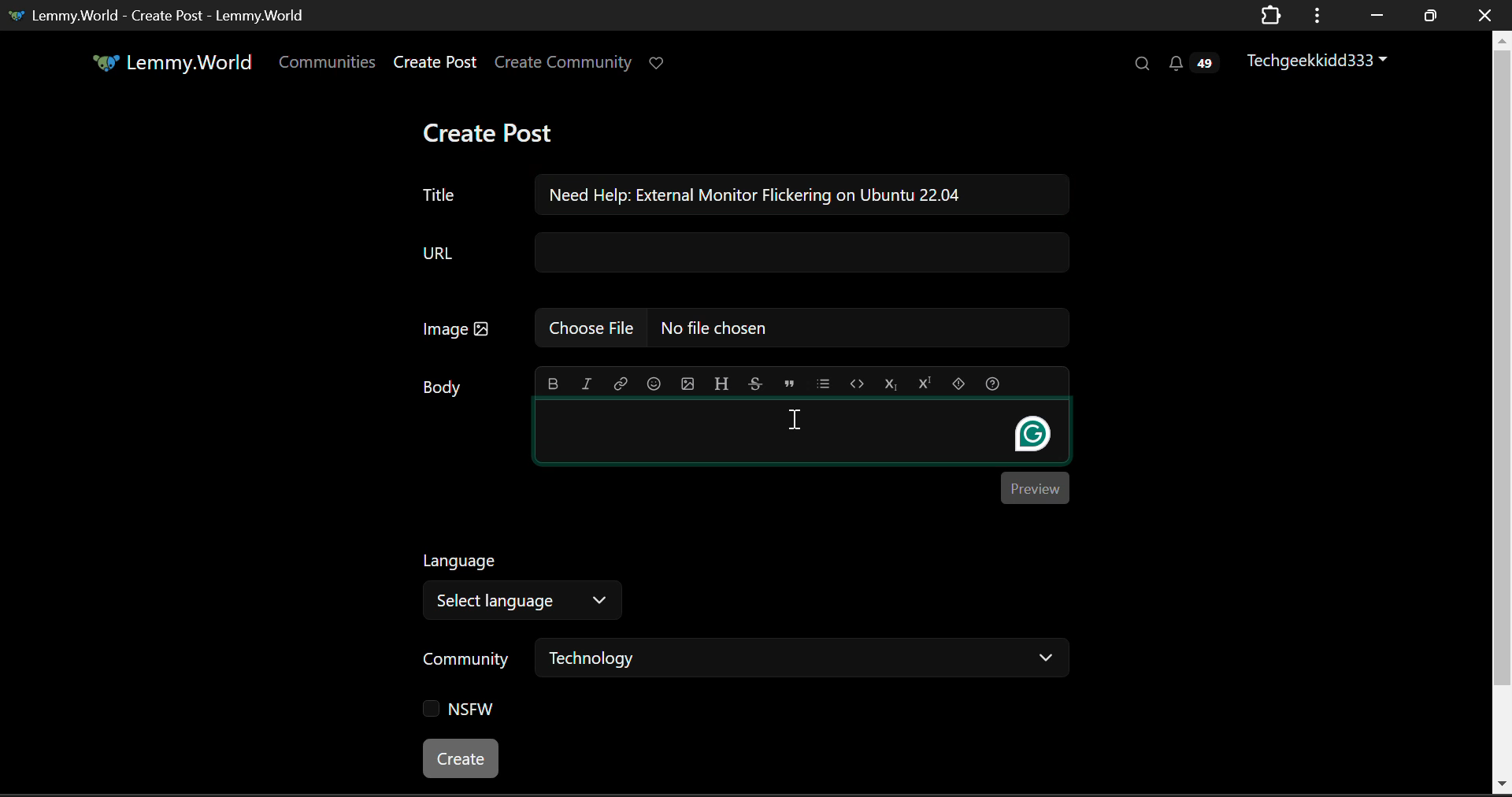  Describe the element at coordinates (797, 420) in the screenshot. I see `Cursor on Post Body Textbox` at that location.